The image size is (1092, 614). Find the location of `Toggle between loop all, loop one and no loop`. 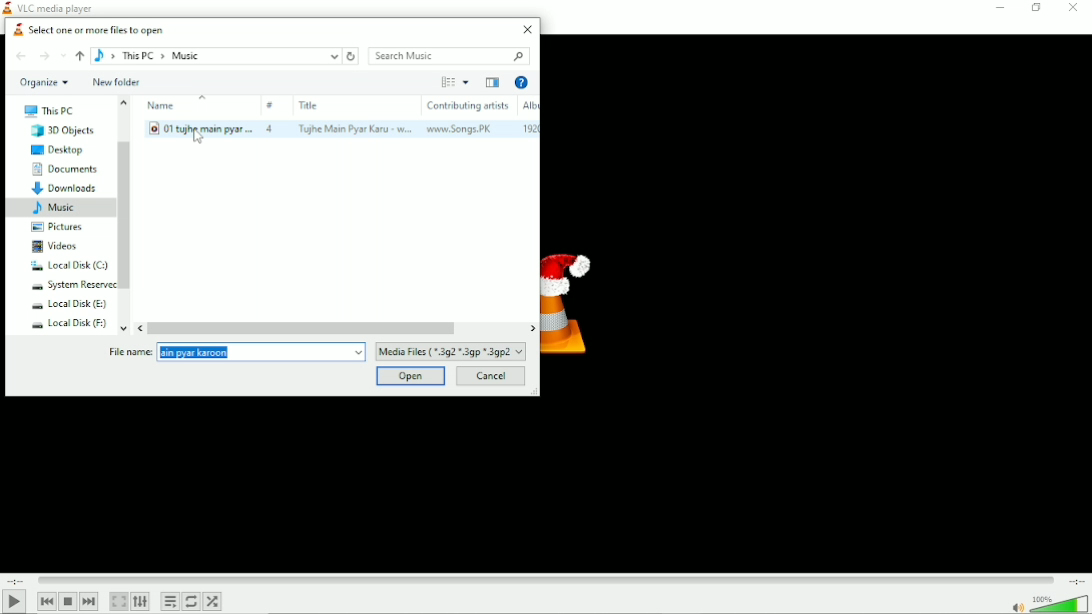

Toggle between loop all, loop one and no loop is located at coordinates (191, 603).